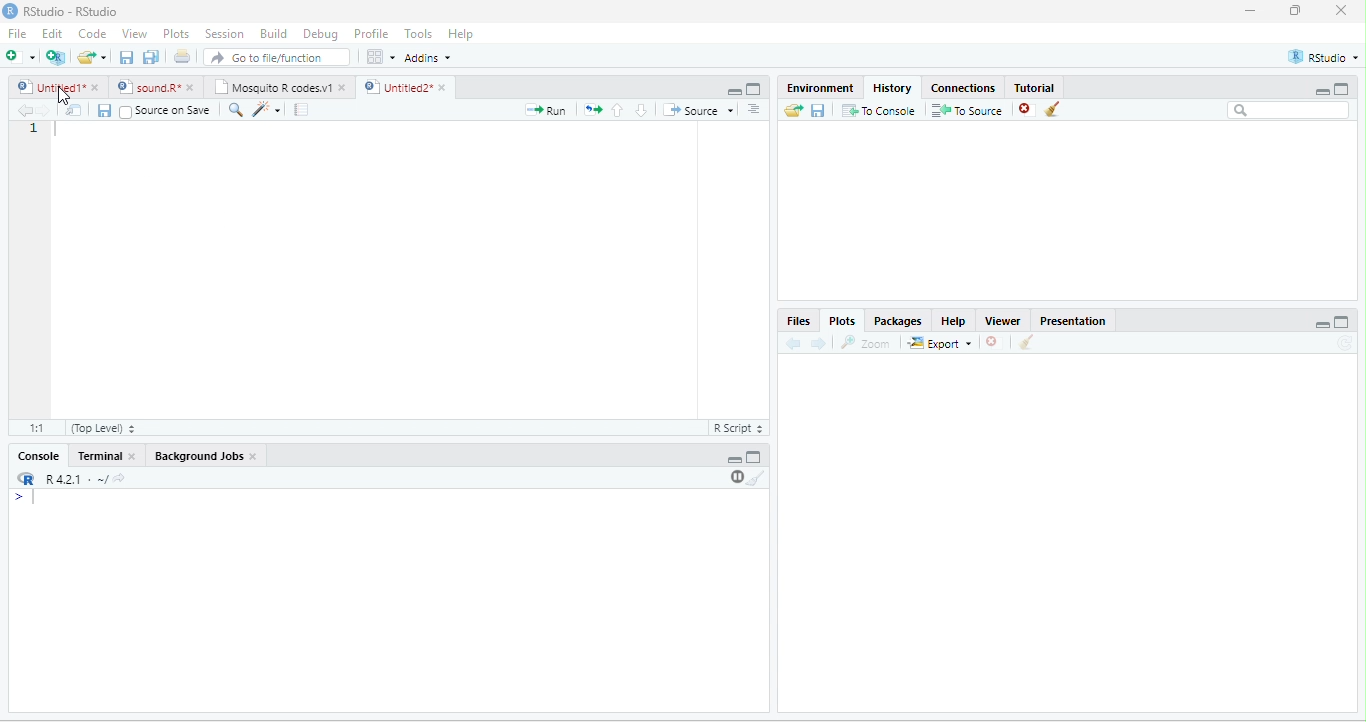  Describe the element at coordinates (1027, 342) in the screenshot. I see `clear` at that location.